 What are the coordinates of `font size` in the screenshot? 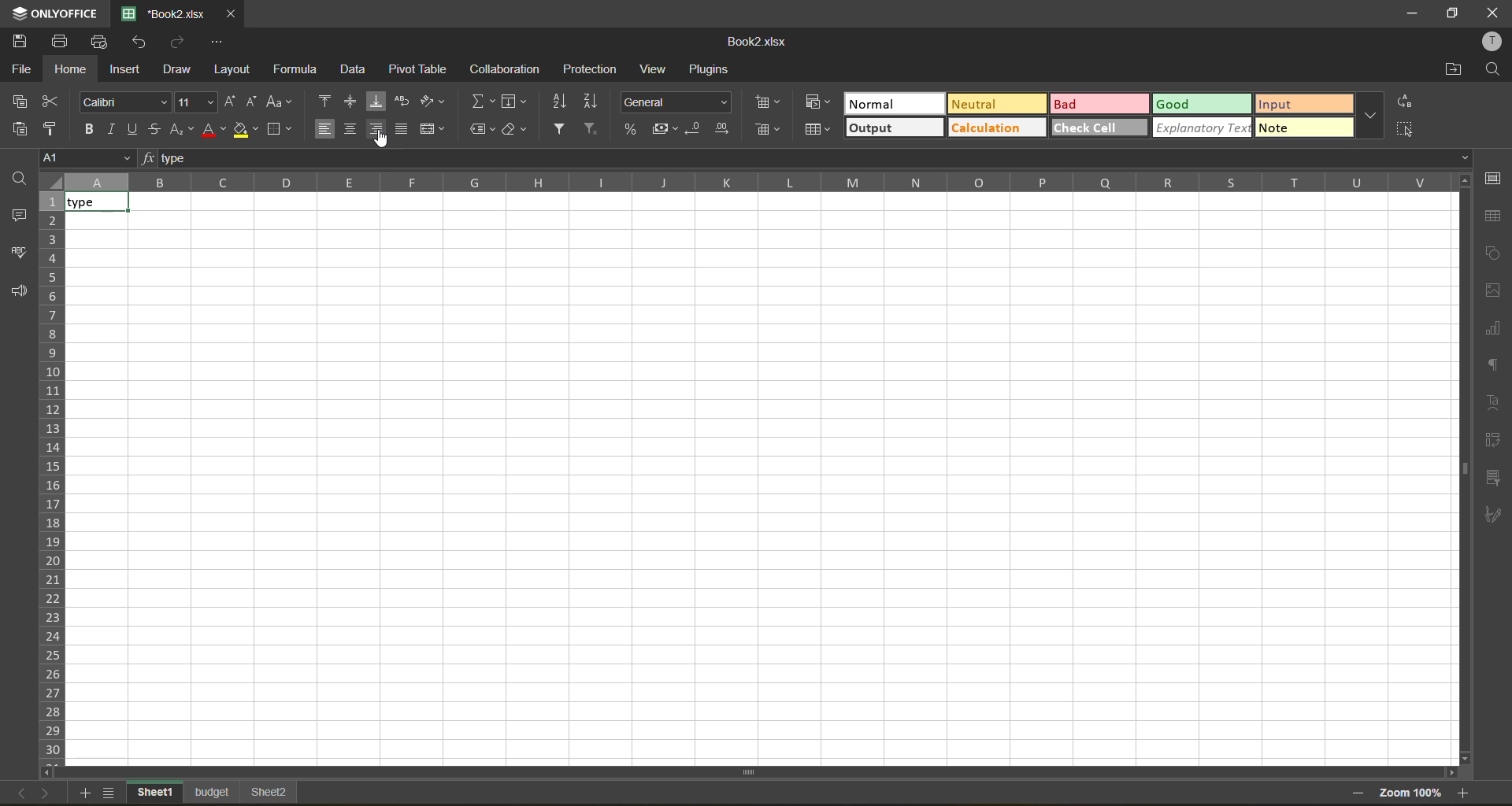 It's located at (194, 102).